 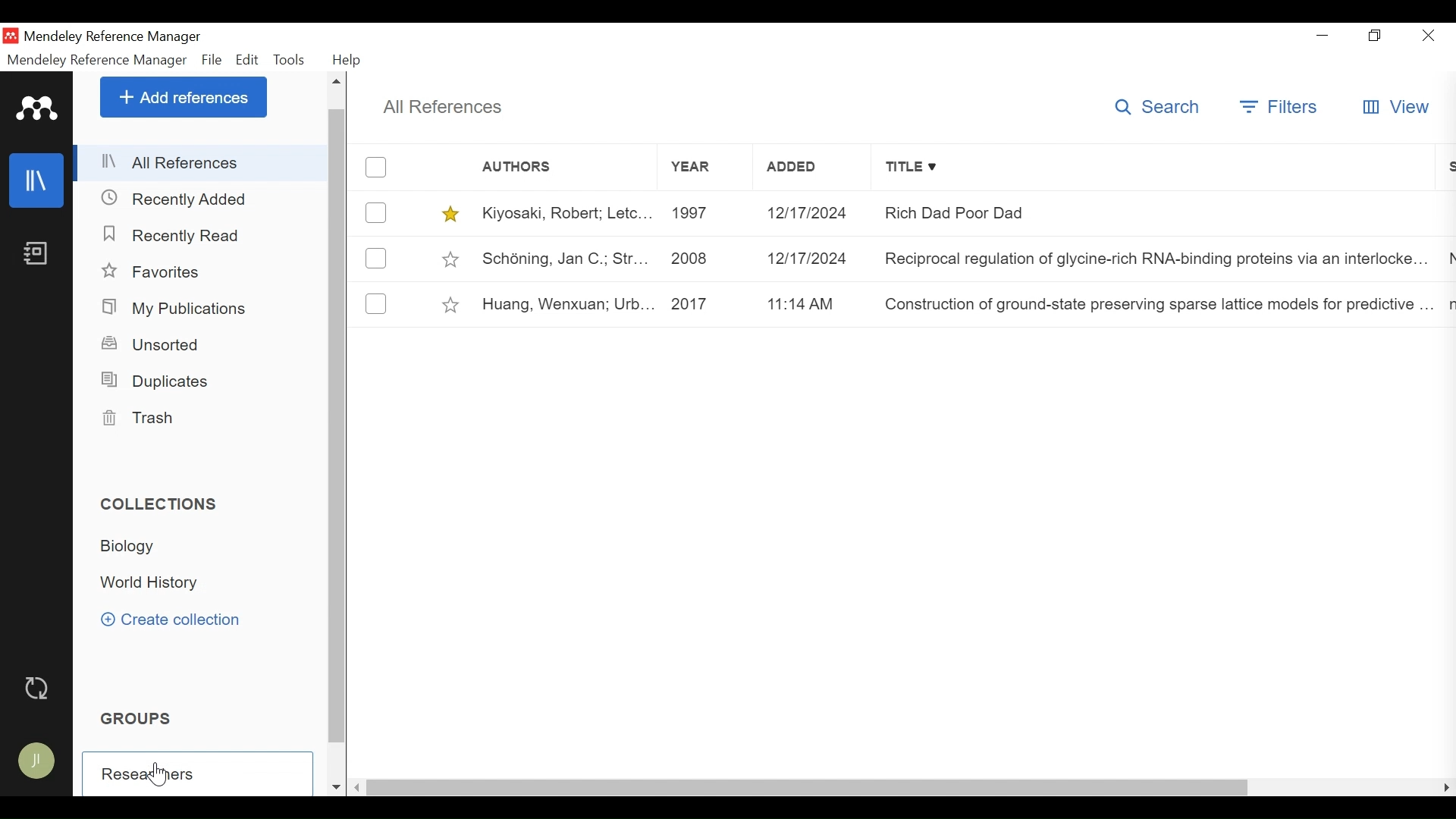 What do you see at coordinates (1154, 108) in the screenshot?
I see `Search` at bounding box center [1154, 108].